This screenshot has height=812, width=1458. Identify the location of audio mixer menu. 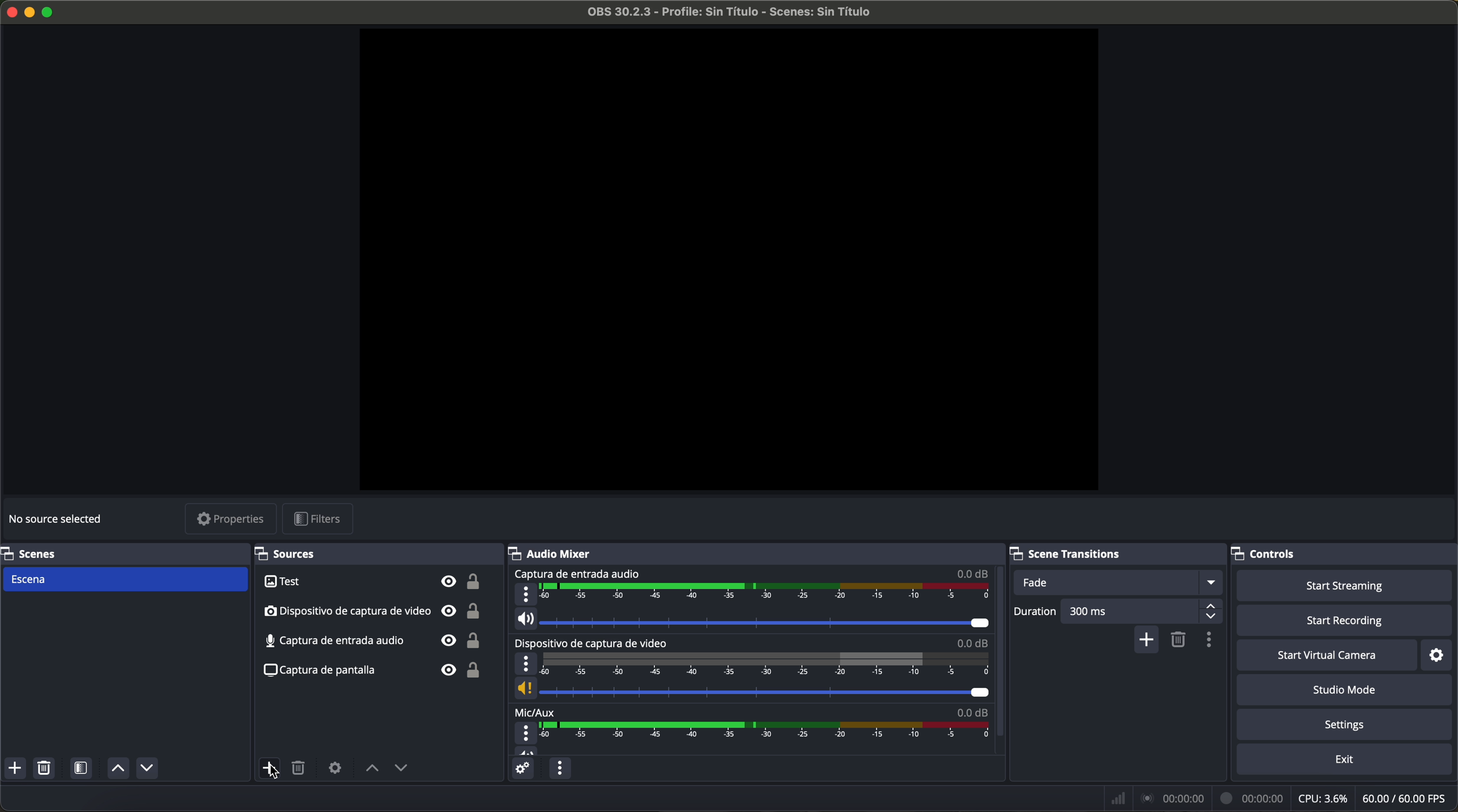
(560, 767).